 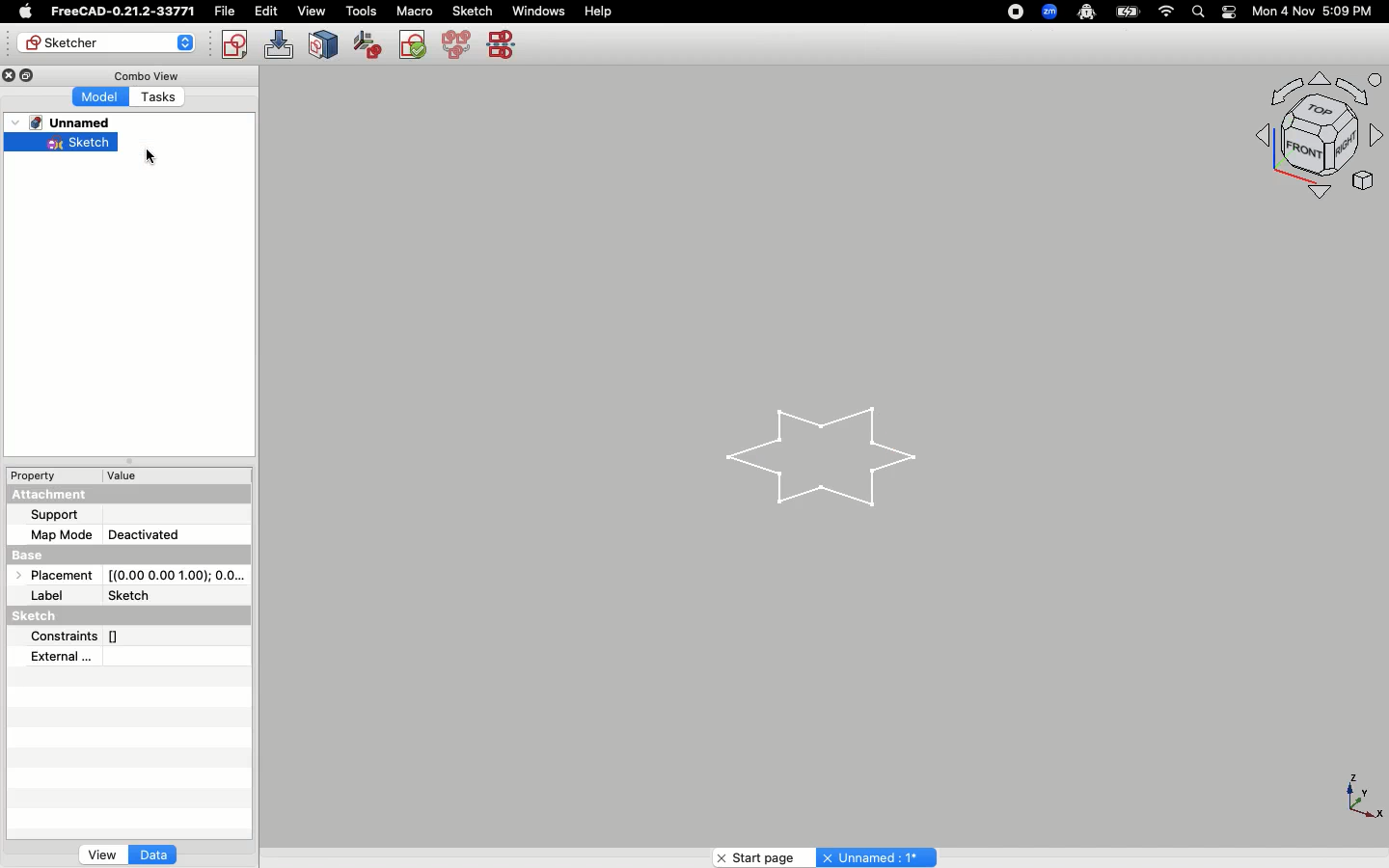 What do you see at coordinates (31, 74) in the screenshot?
I see `copy` at bounding box center [31, 74].